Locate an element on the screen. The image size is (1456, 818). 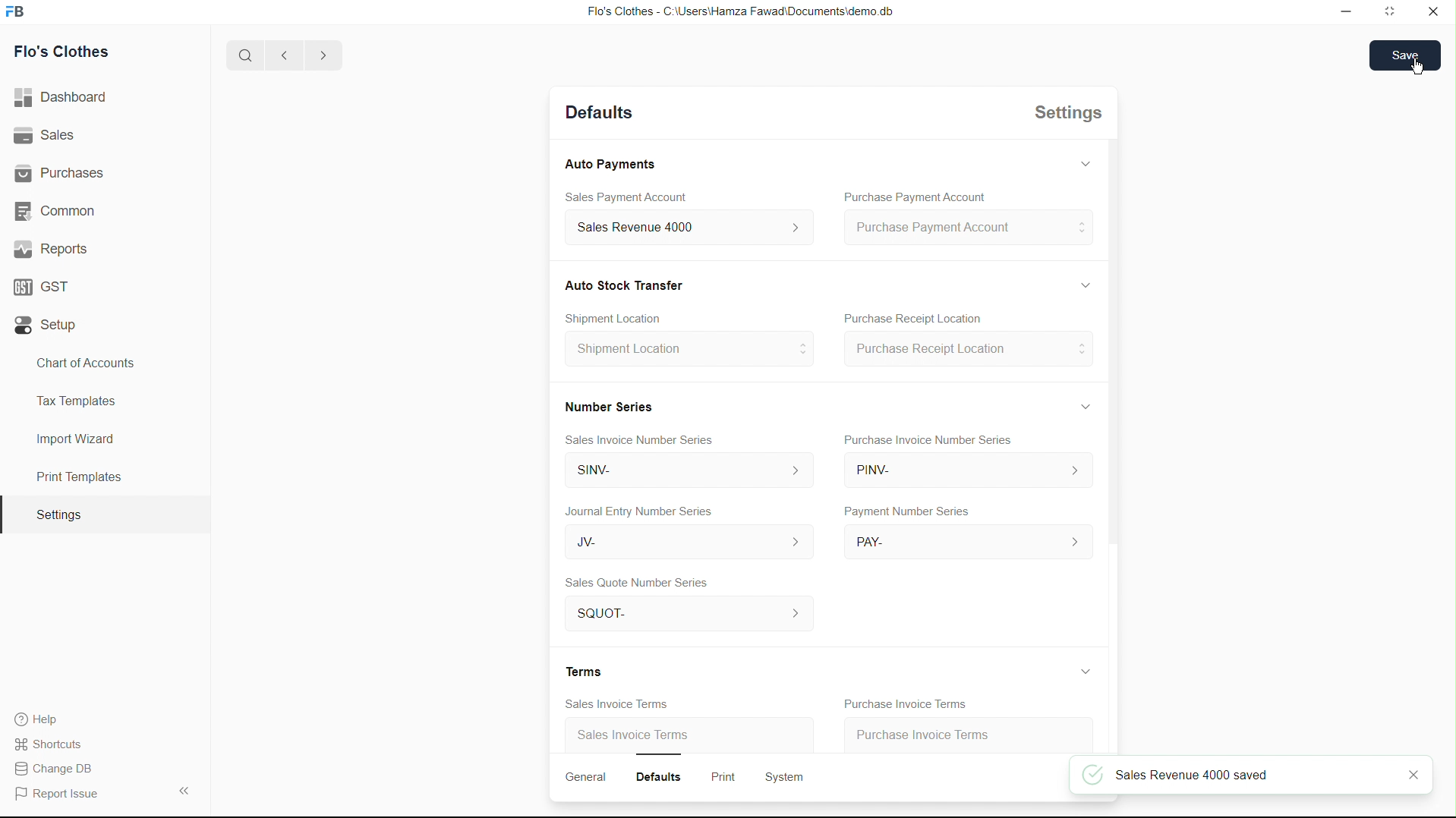
Hide  is located at coordinates (1085, 284).